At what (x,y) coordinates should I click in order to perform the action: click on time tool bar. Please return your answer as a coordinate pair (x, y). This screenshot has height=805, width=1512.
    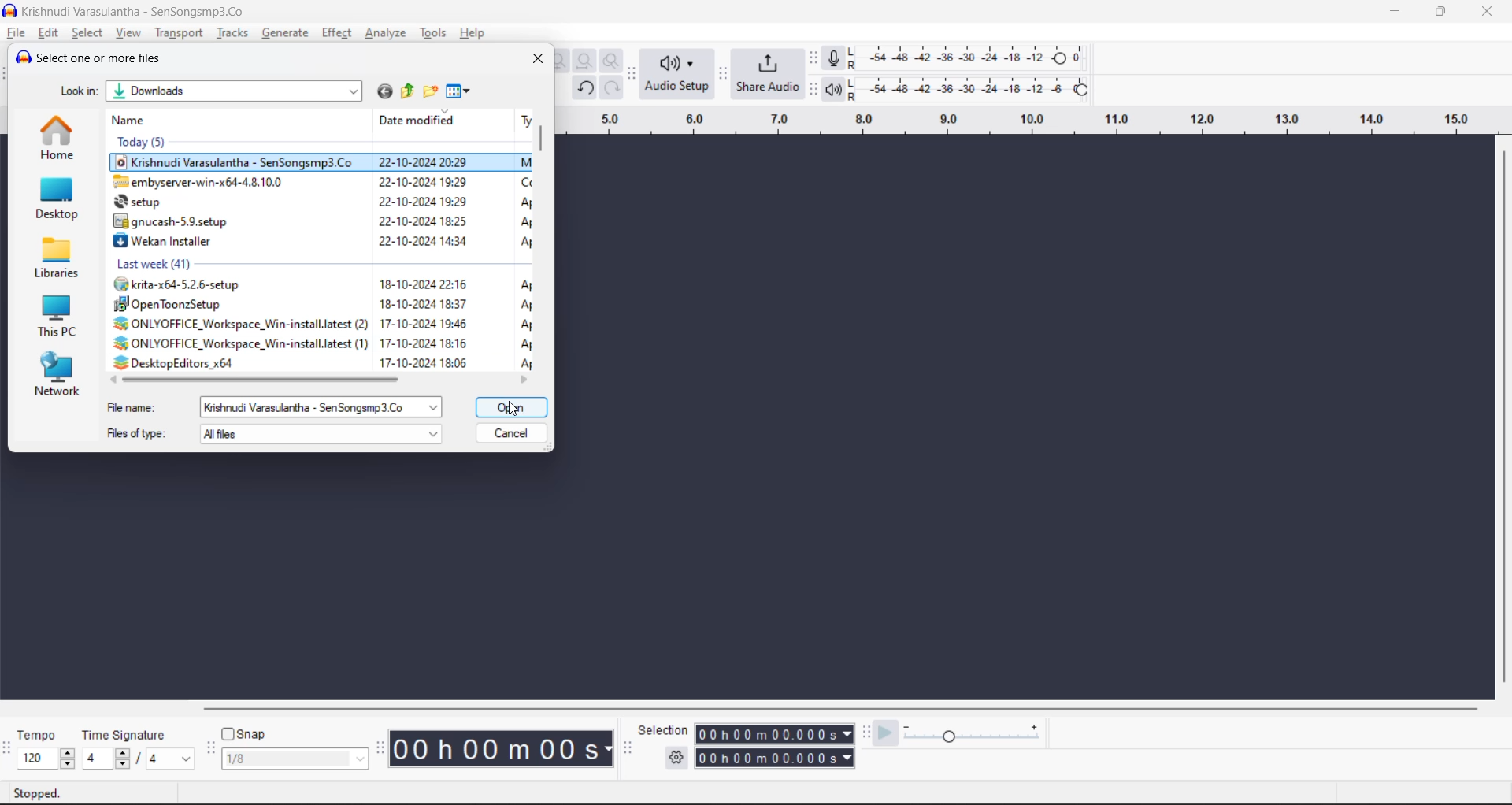
    Looking at the image, I should click on (383, 747).